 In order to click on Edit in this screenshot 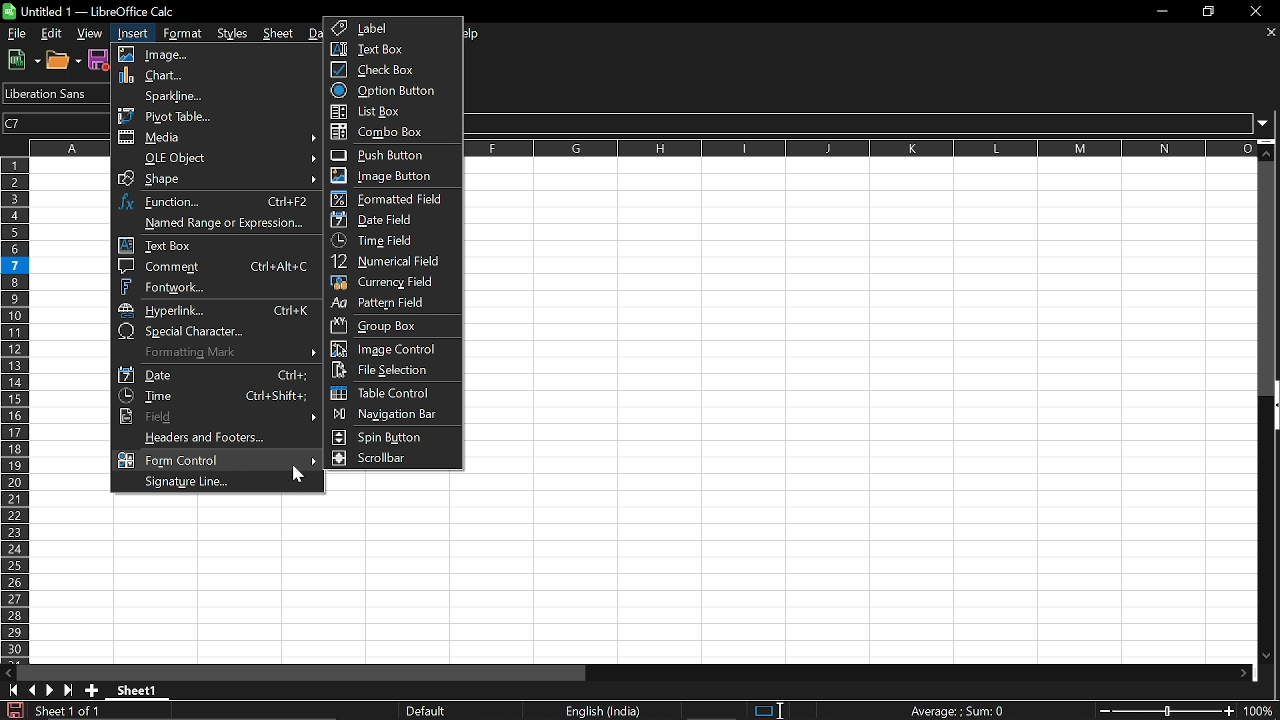, I will do `click(53, 34)`.